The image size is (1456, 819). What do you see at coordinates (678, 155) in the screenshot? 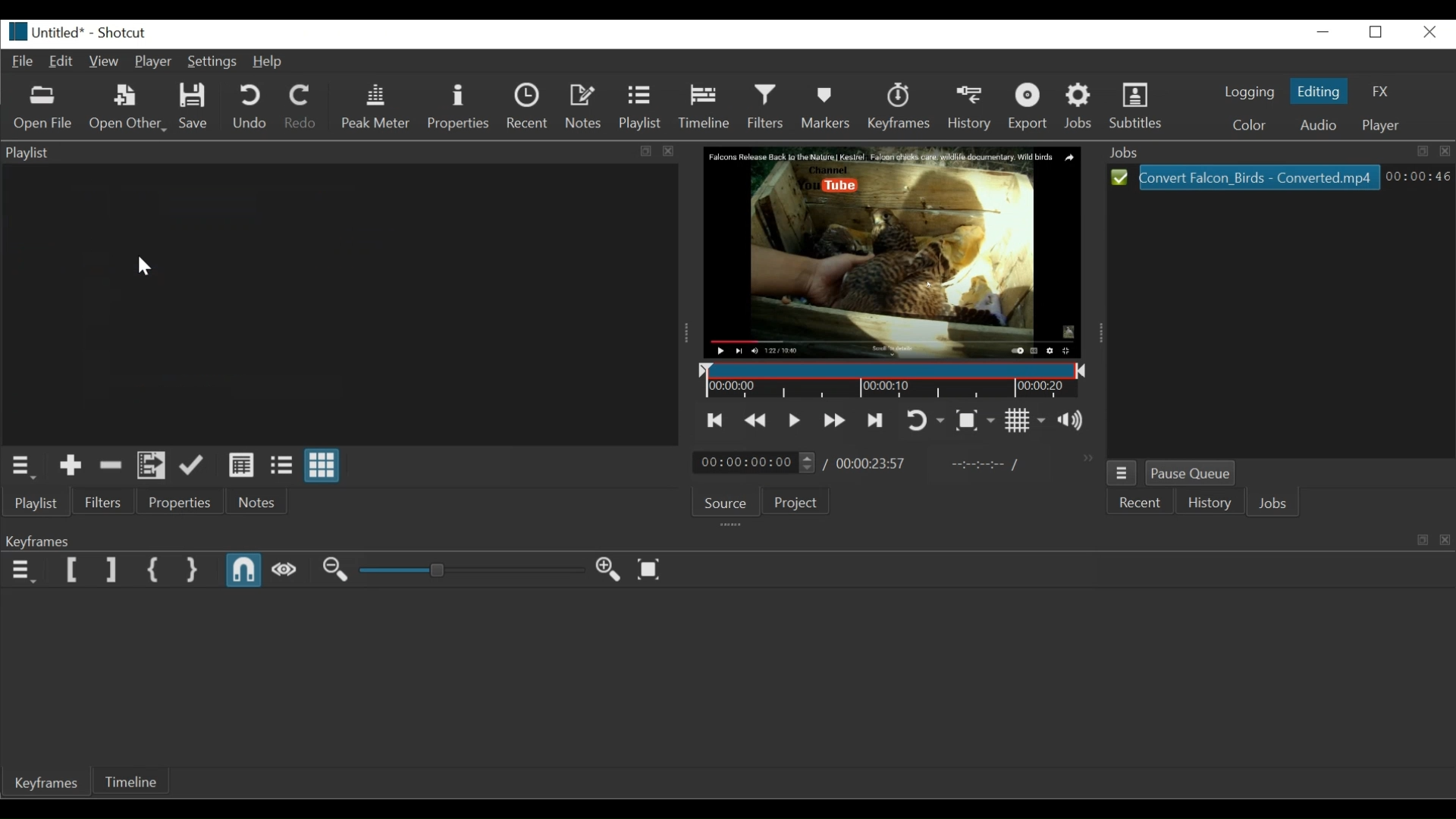
I see `close` at bounding box center [678, 155].